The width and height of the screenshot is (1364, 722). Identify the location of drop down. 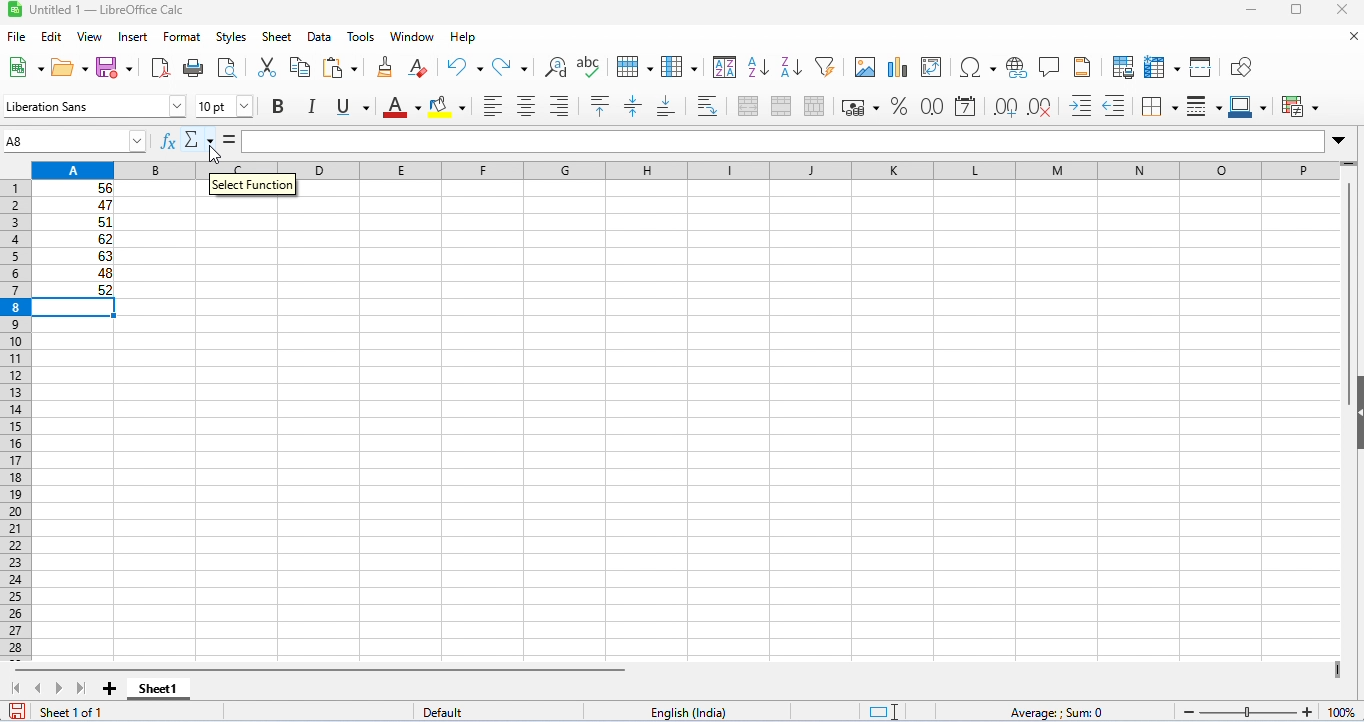
(142, 140).